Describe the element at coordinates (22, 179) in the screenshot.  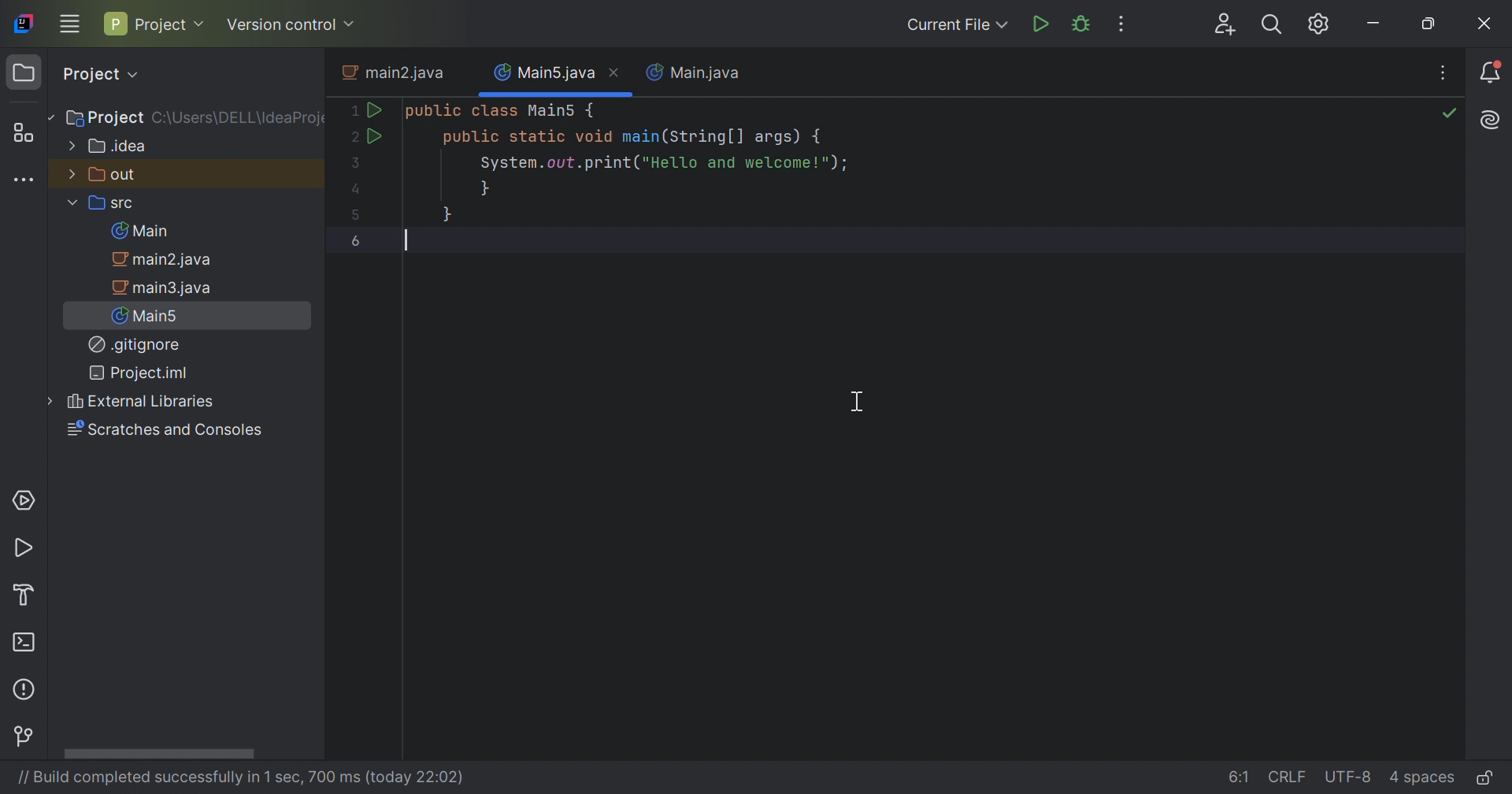
I see `More tool windows` at that location.